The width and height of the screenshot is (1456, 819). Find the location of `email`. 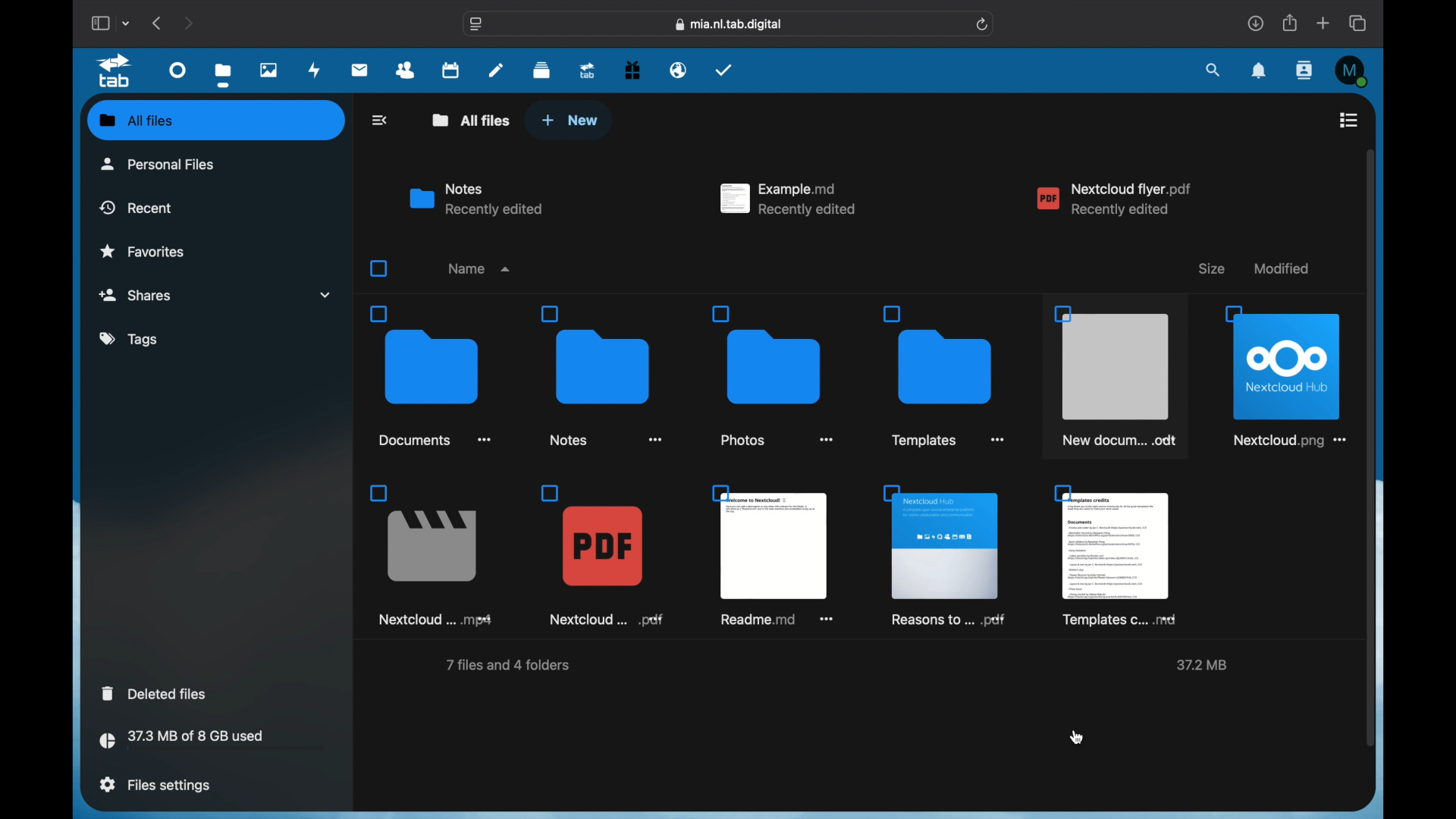

email is located at coordinates (679, 71).